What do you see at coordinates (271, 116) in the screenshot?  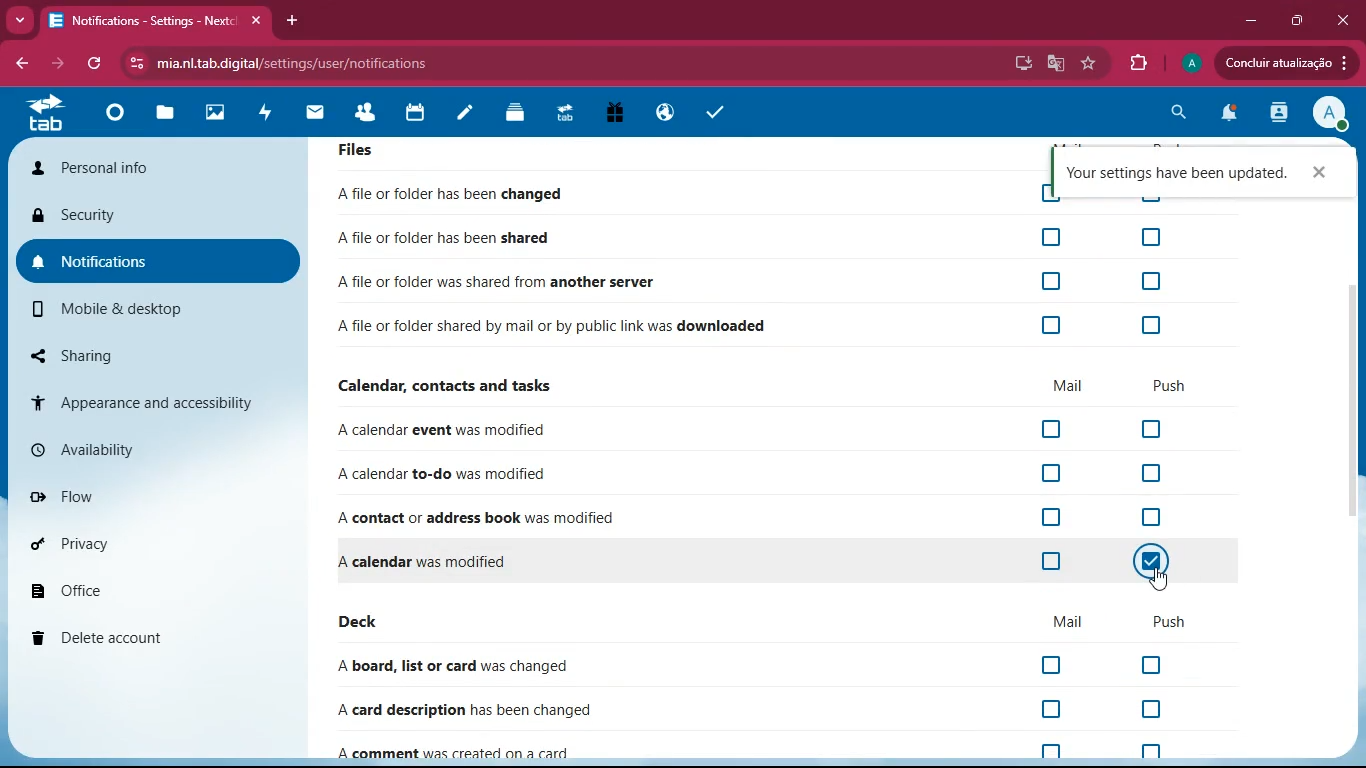 I see `activity` at bounding box center [271, 116].